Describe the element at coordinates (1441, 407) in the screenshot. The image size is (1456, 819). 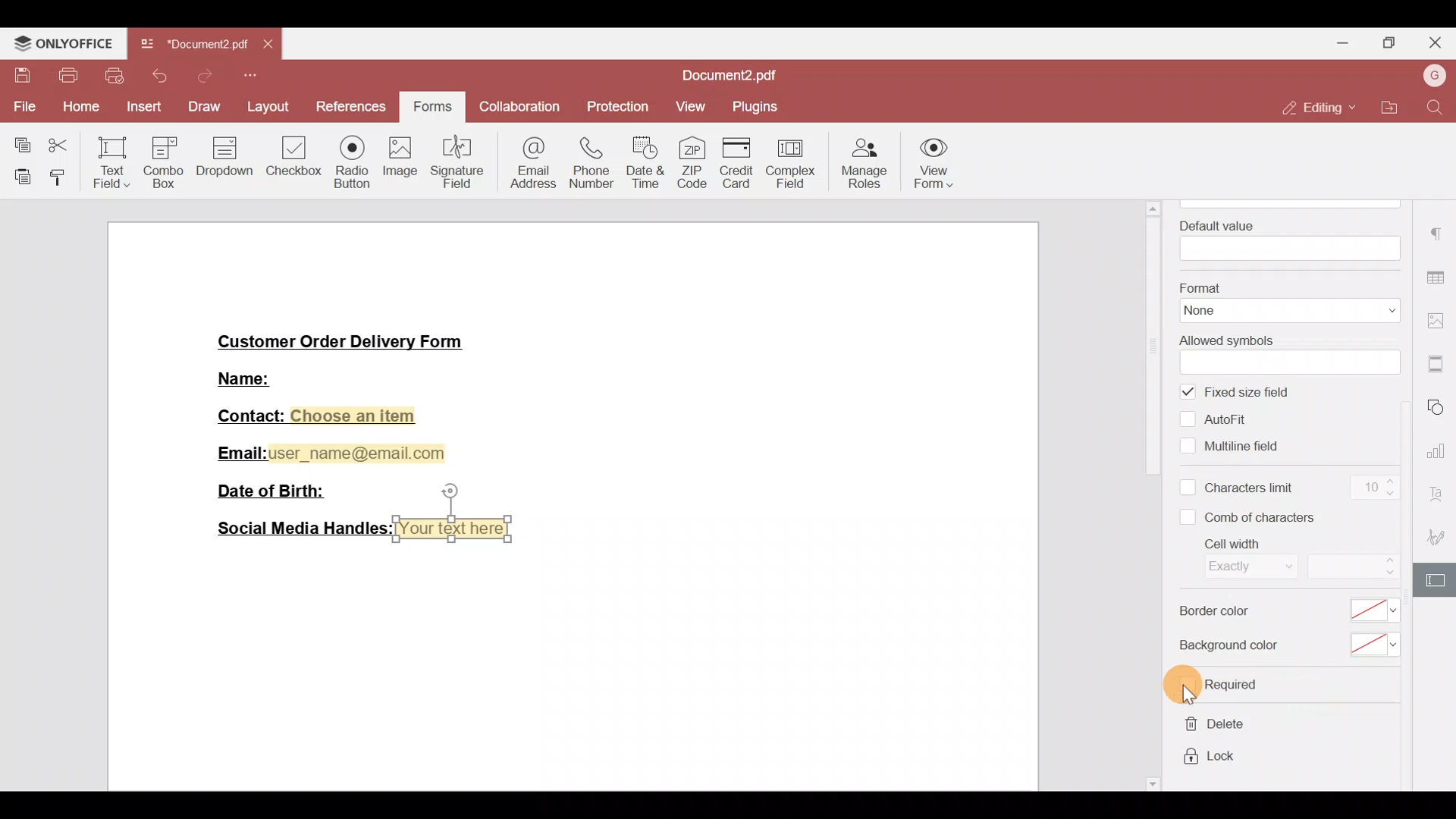
I see `Shapes settings` at that location.